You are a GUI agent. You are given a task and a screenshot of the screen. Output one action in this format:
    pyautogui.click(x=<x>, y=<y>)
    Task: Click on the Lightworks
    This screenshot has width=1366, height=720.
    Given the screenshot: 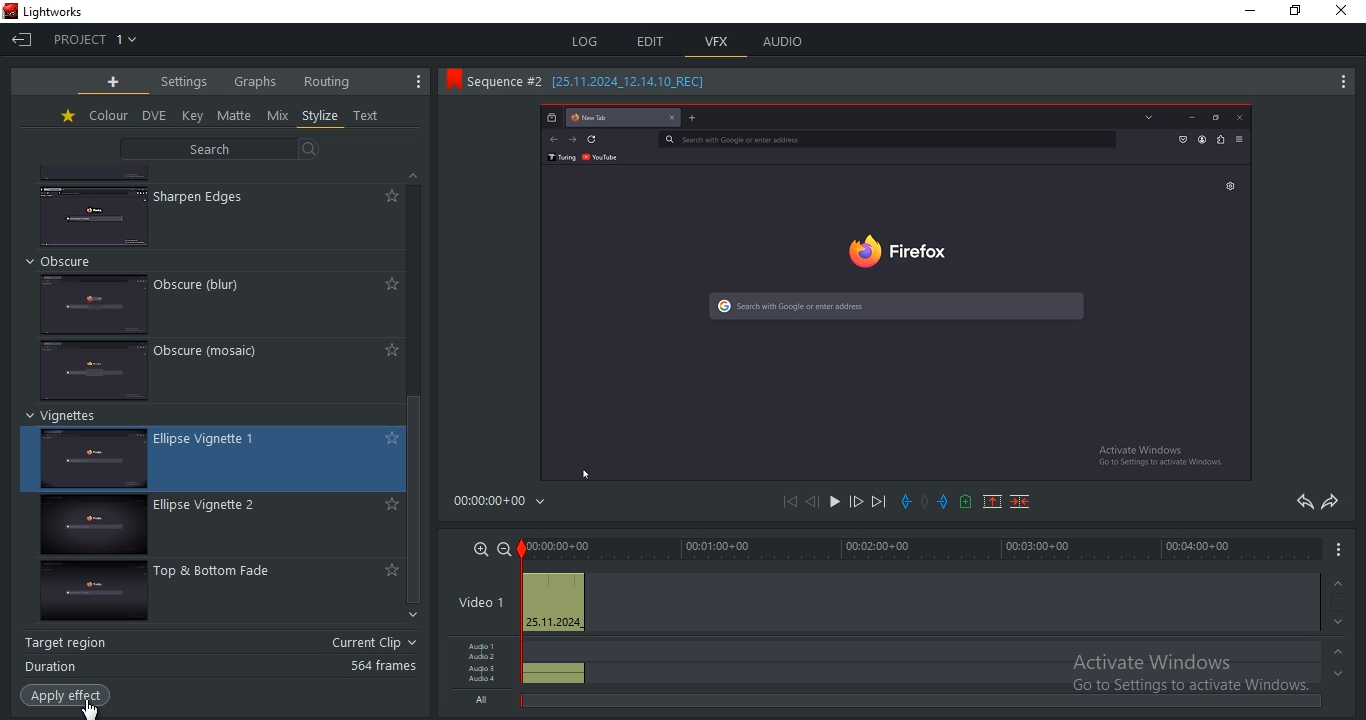 What is the action you would take?
    pyautogui.click(x=63, y=10)
    